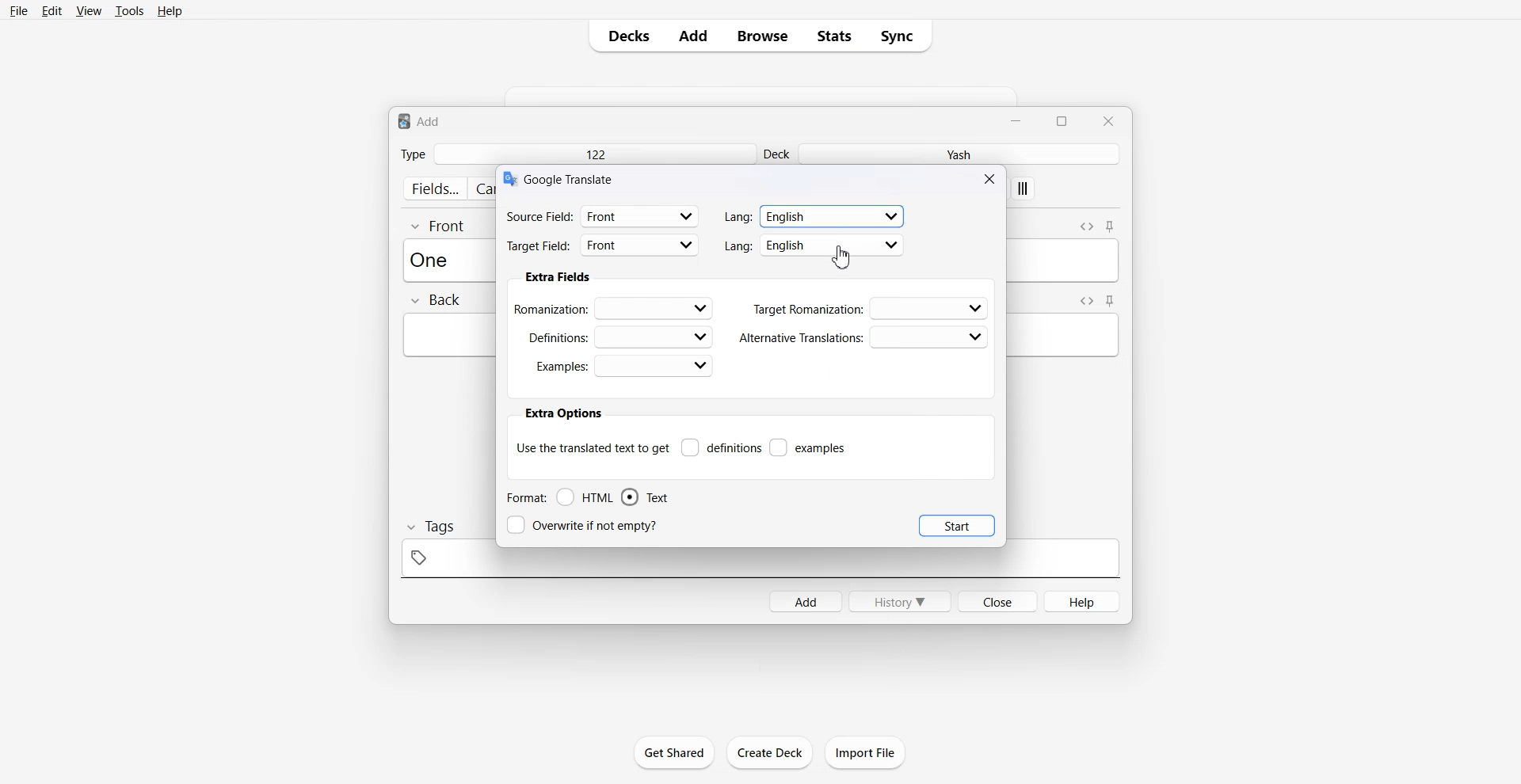 This screenshot has height=784, width=1521. What do you see at coordinates (763, 36) in the screenshot?
I see `Browse` at bounding box center [763, 36].